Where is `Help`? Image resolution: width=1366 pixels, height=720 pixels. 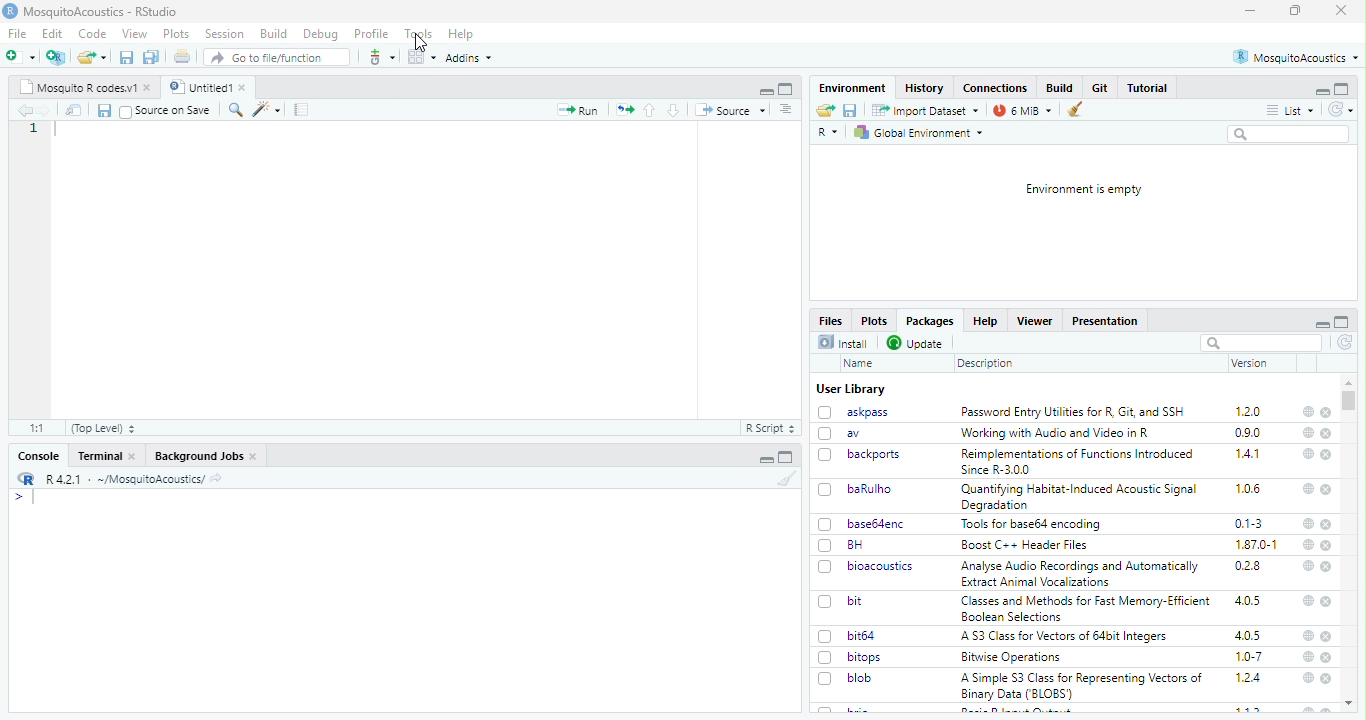
Help is located at coordinates (462, 35).